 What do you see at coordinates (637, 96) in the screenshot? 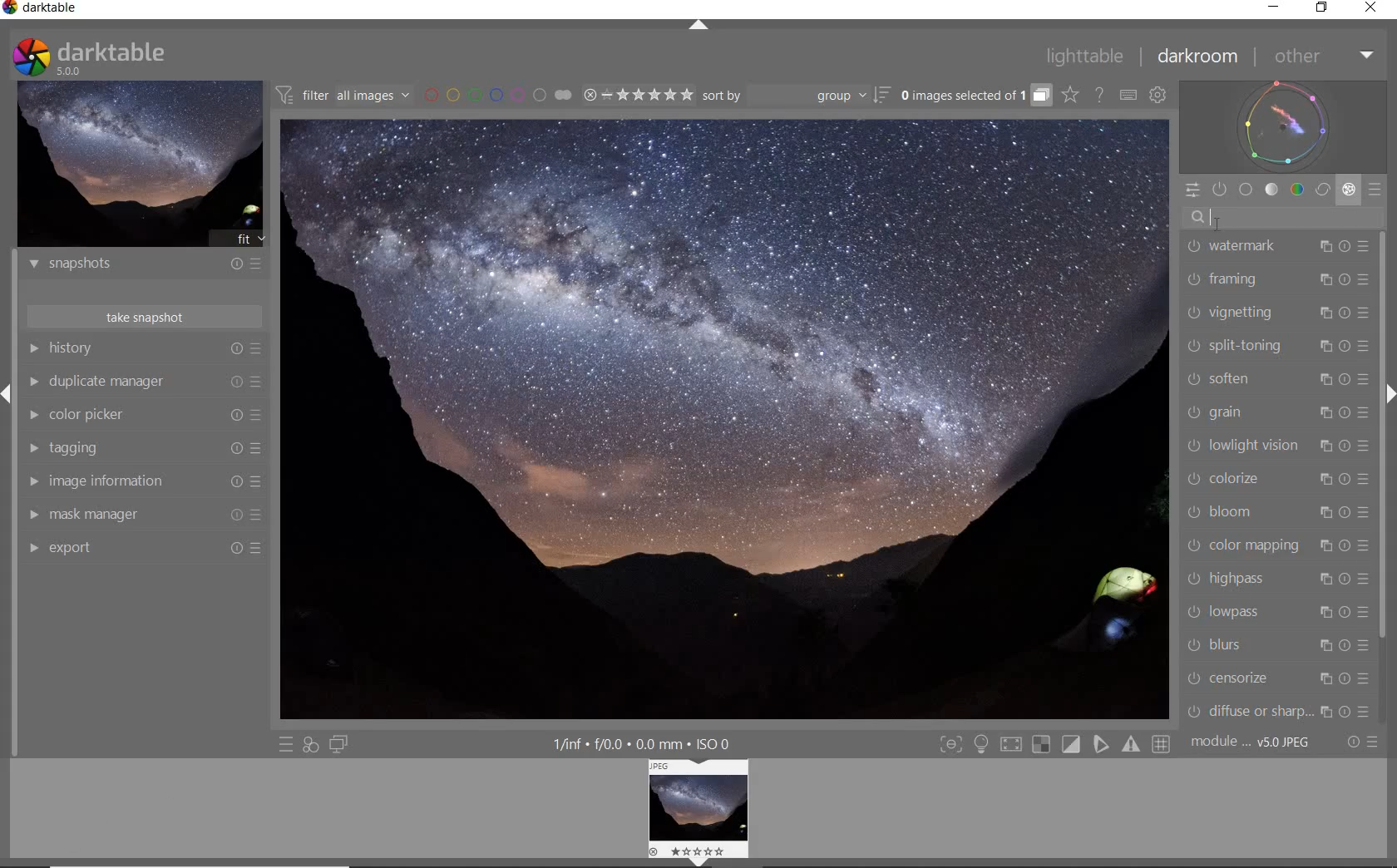
I see `RANGE RATING OF SELECTED IMAGES` at bounding box center [637, 96].